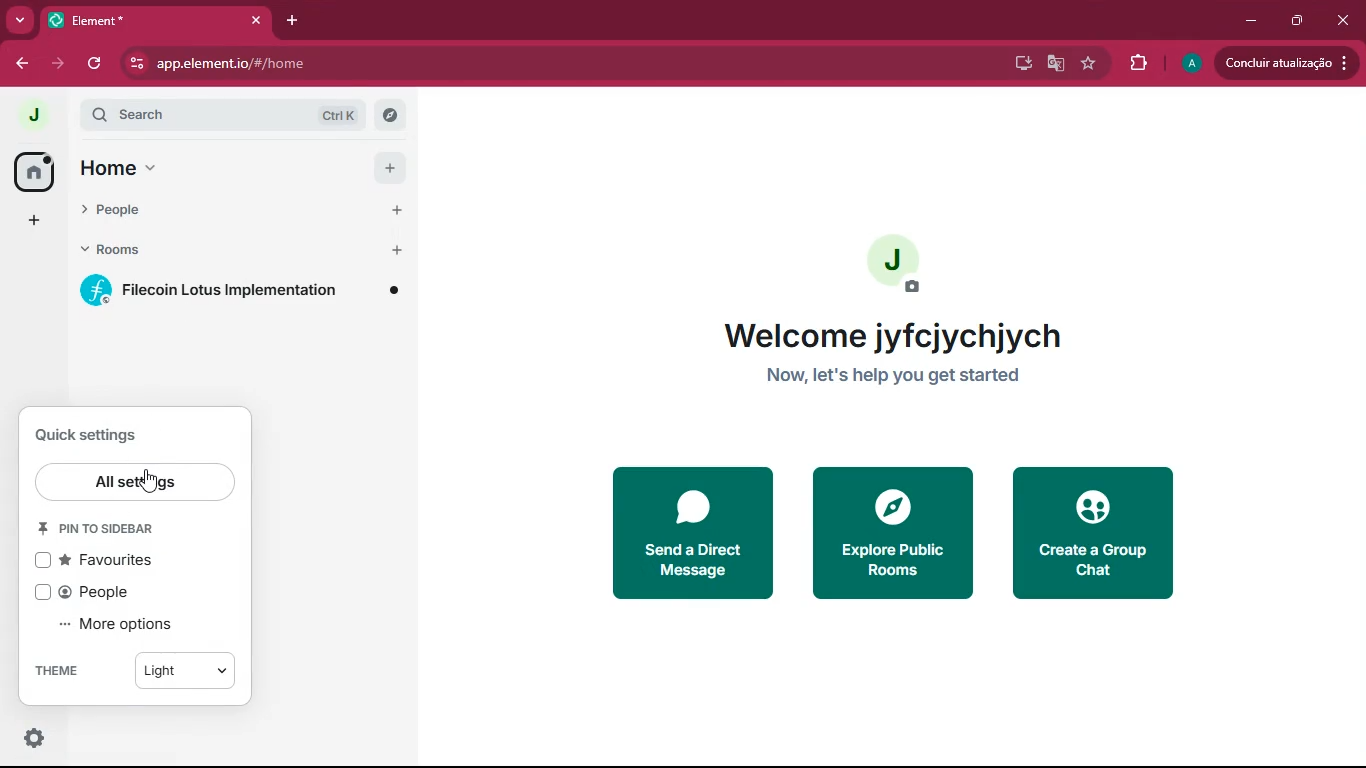 The width and height of the screenshot is (1366, 768). Describe the element at coordinates (104, 528) in the screenshot. I see `pin` at that location.